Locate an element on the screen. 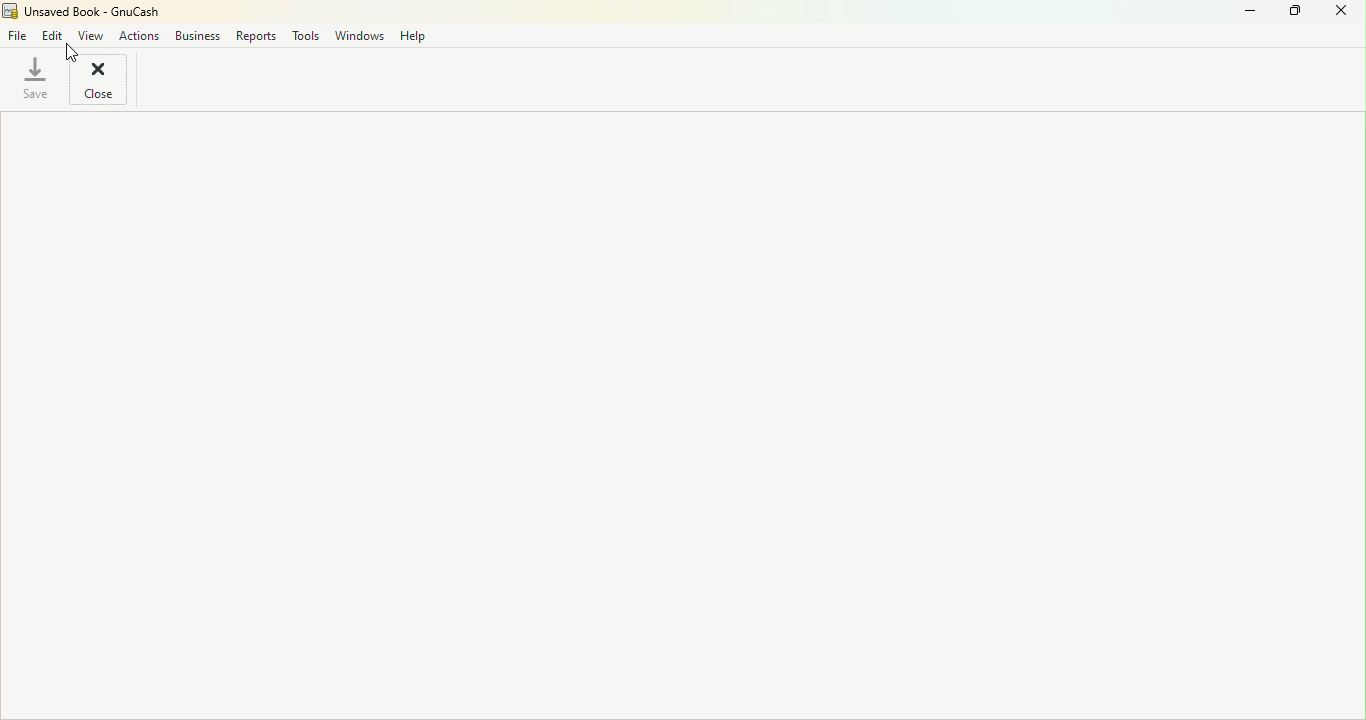 The height and width of the screenshot is (720, 1366). View is located at coordinates (93, 35).